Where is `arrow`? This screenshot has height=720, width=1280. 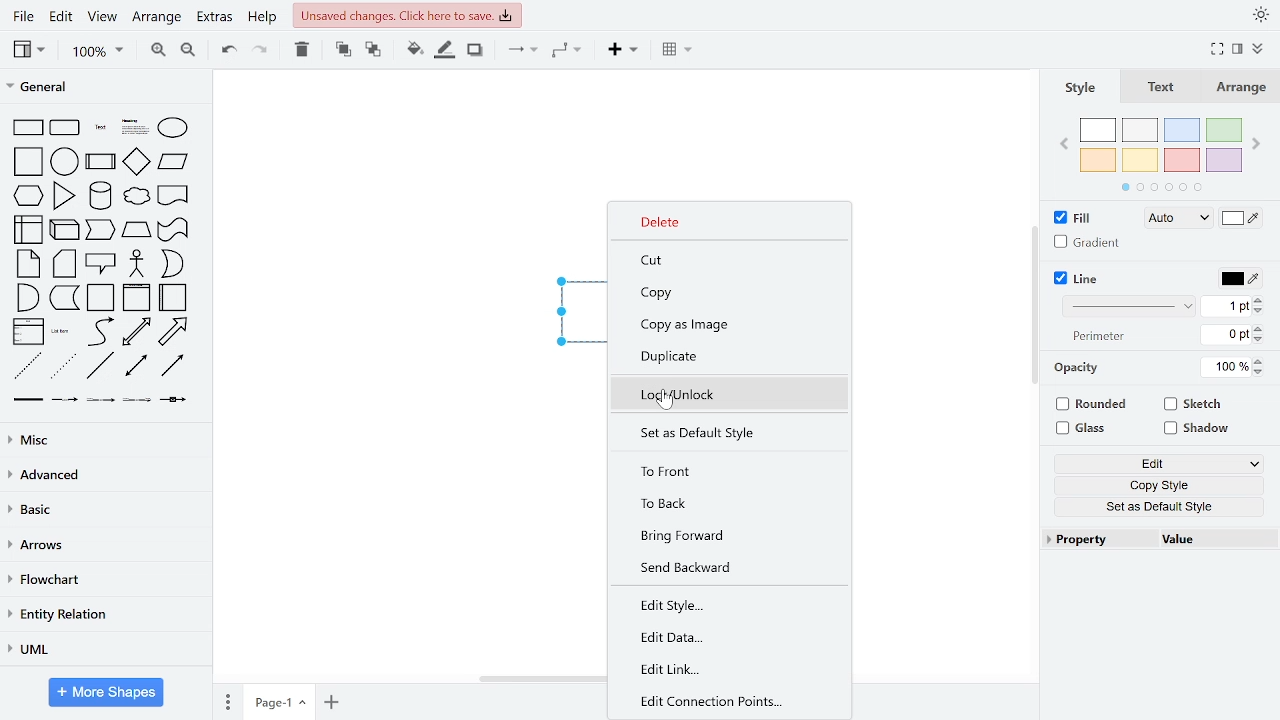
arrow is located at coordinates (174, 332).